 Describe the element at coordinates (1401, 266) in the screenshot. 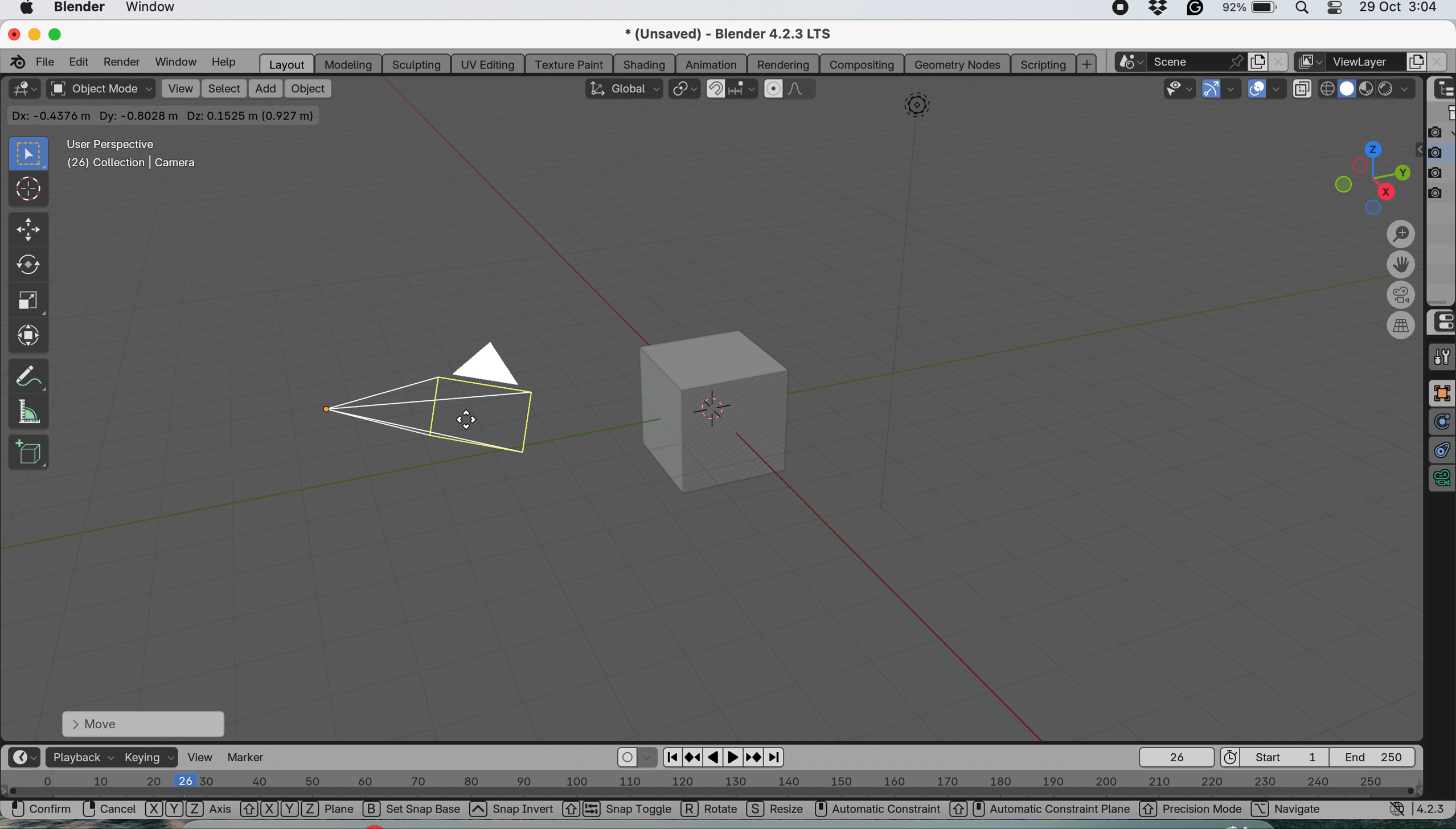

I see `move the view` at that location.